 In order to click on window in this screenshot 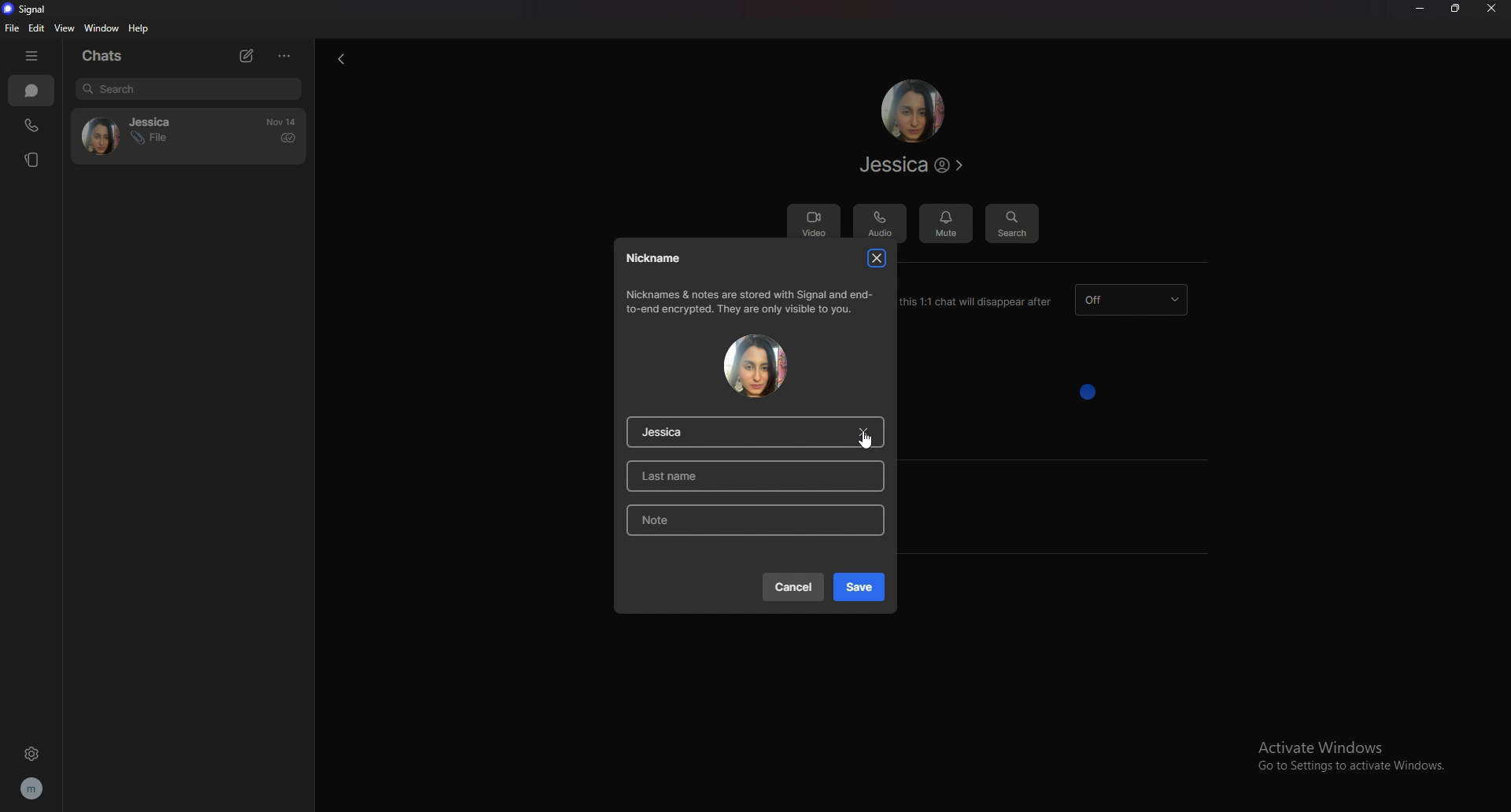, I will do `click(102, 28)`.